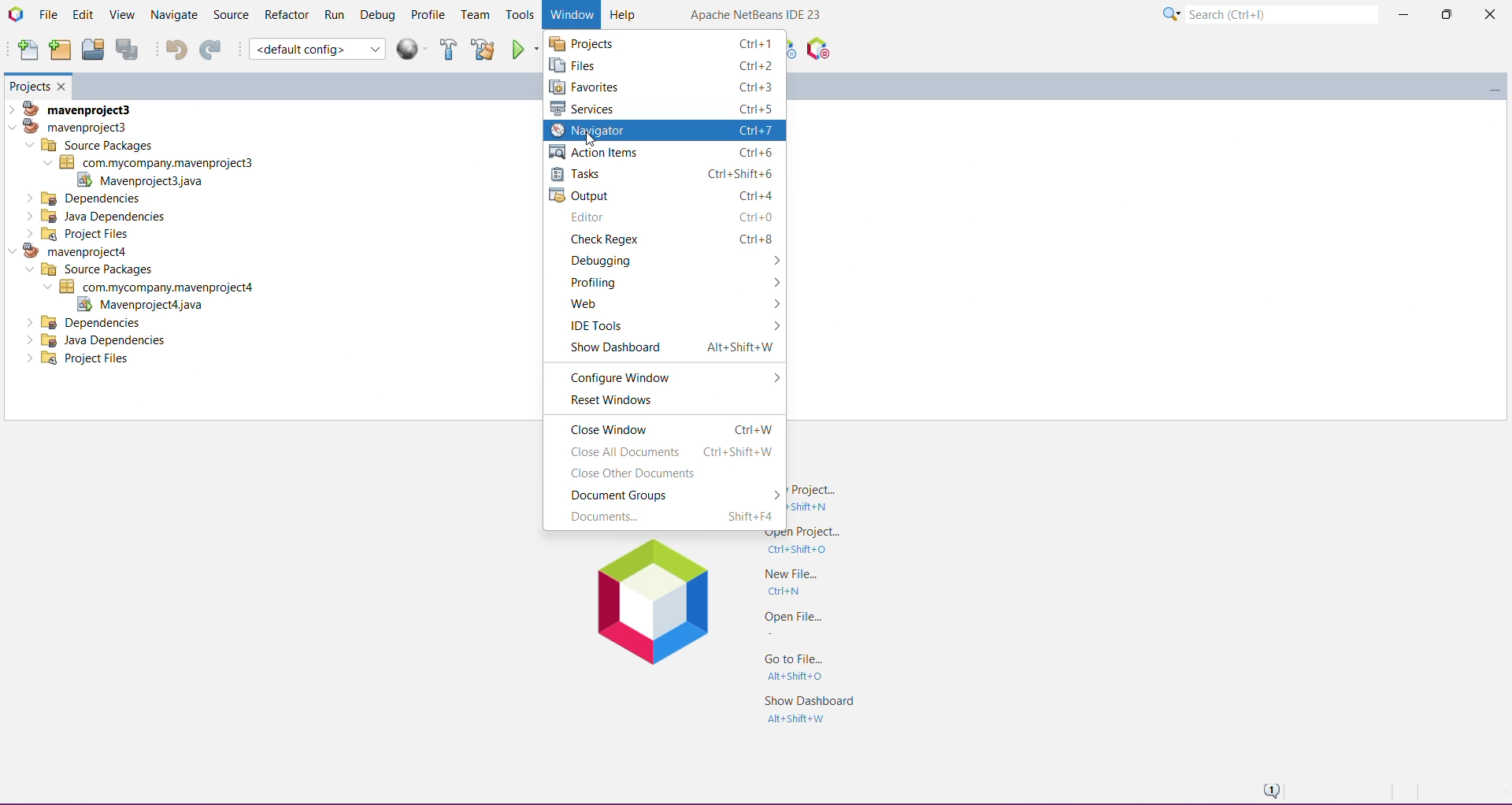 This screenshot has width=1512, height=805. What do you see at coordinates (674, 327) in the screenshot?
I see `IDE Tools` at bounding box center [674, 327].